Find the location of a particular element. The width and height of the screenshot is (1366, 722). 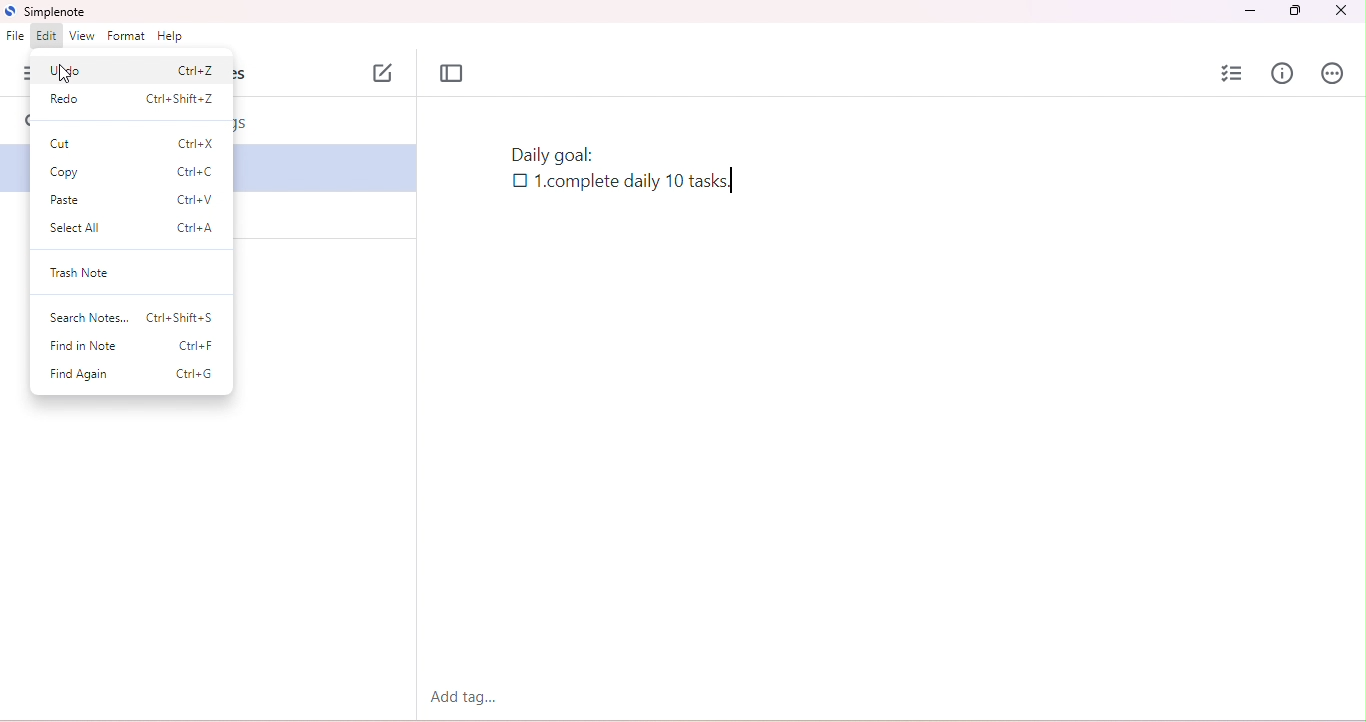

new note is located at coordinates (384, 72).